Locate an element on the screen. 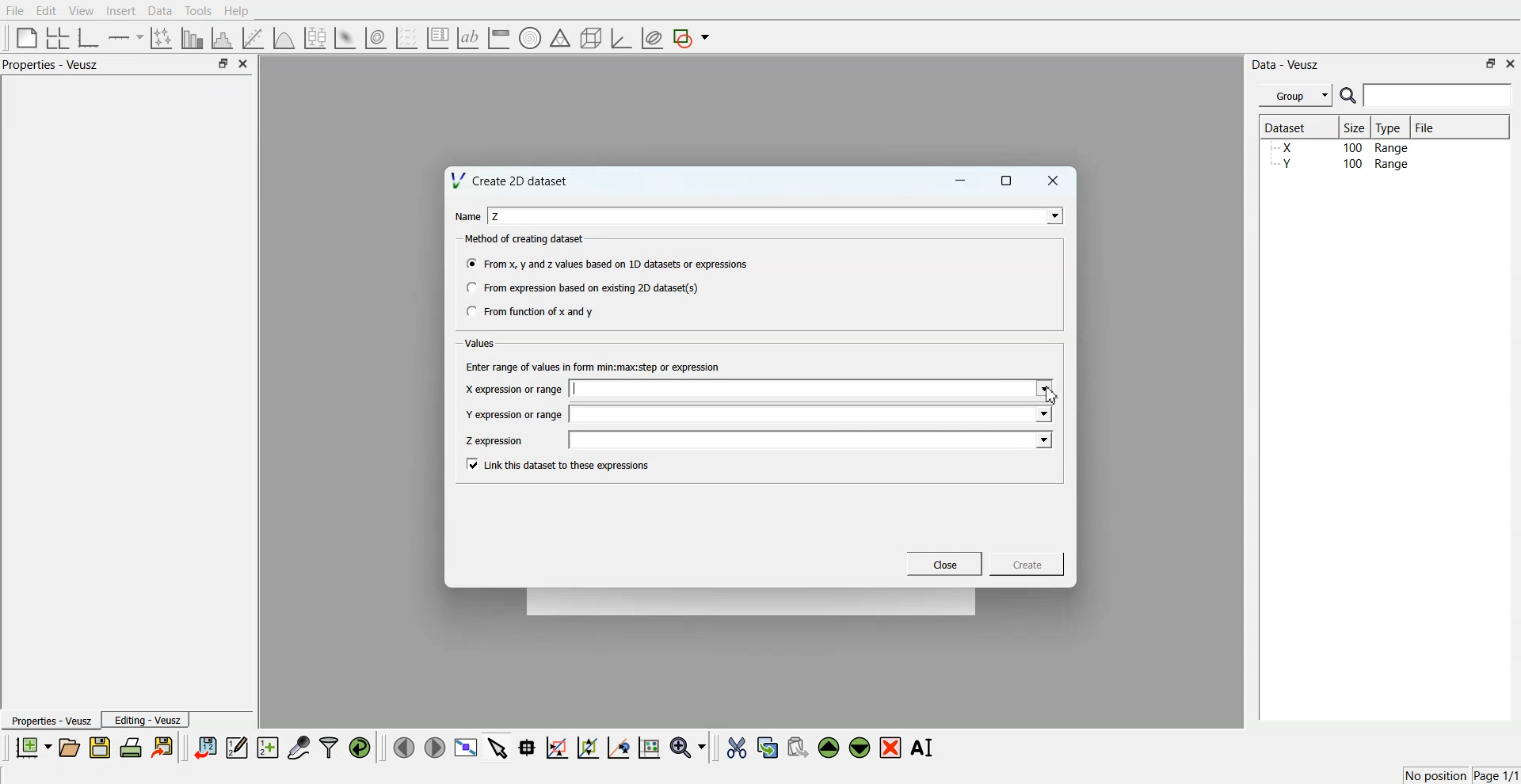 This screenshot has height=784, width=1521. Enter name is located at coordinates (778, 215).